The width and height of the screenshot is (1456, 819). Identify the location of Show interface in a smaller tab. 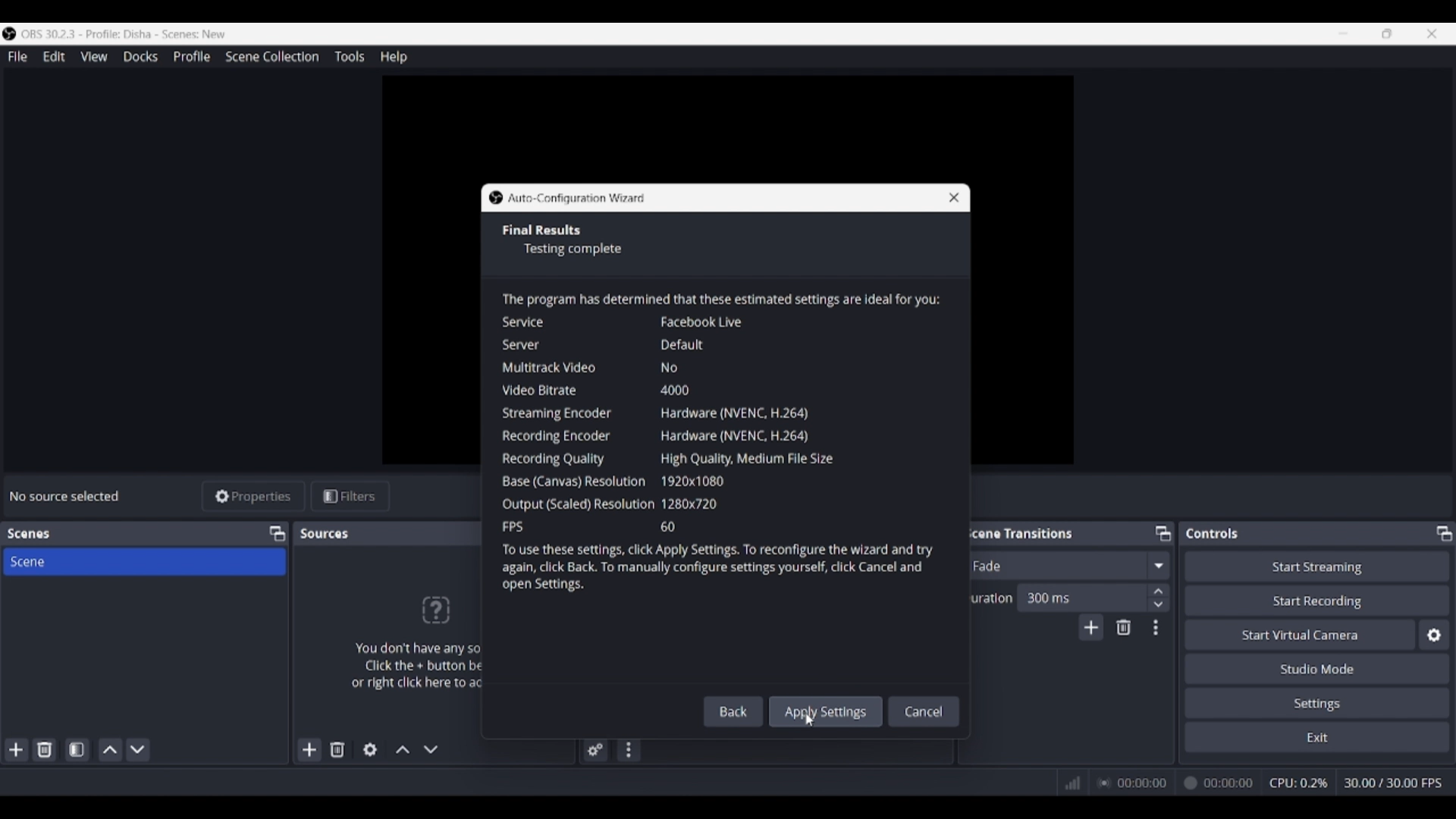
(1387, 33).